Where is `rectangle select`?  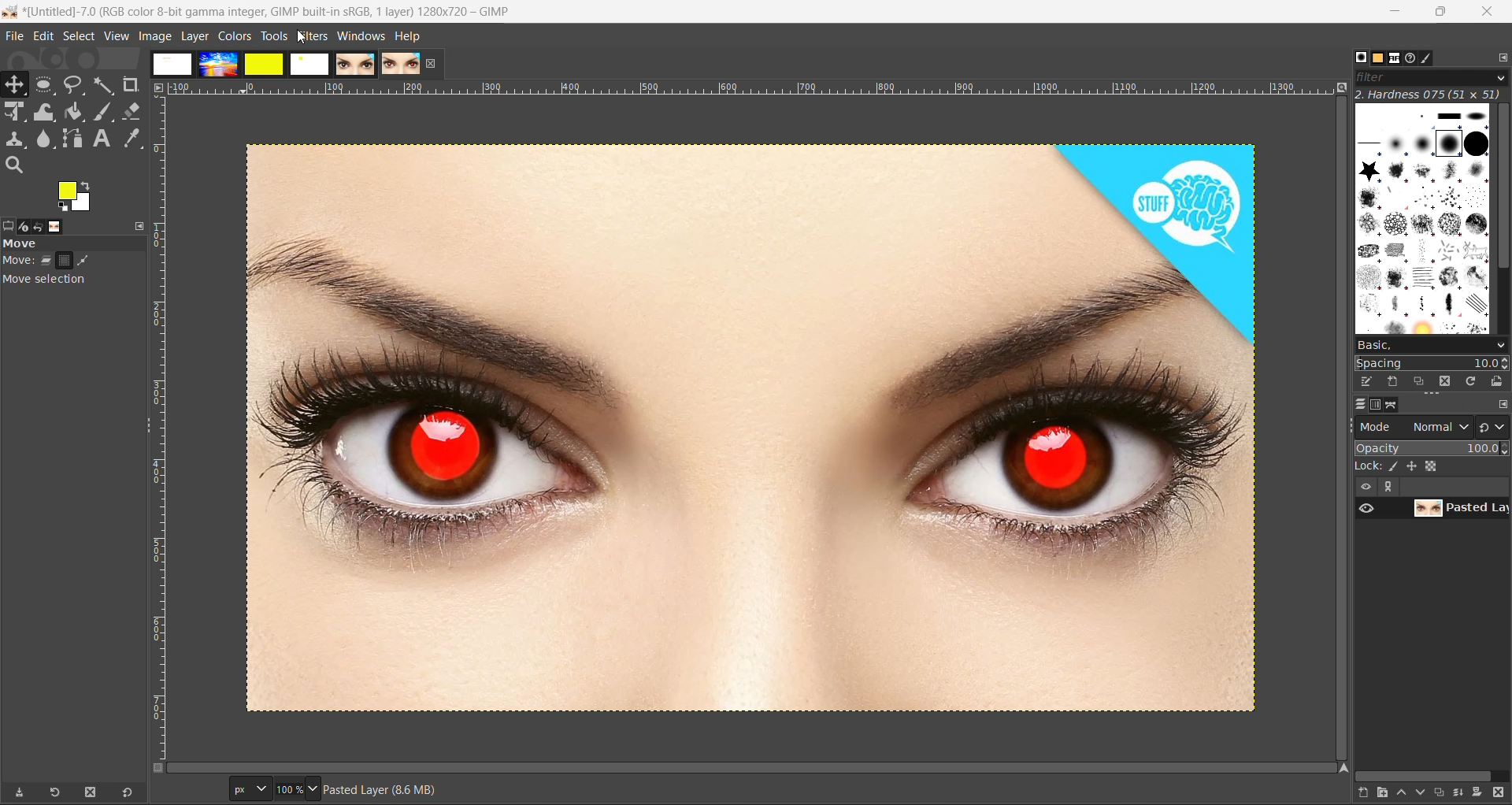
rectangle select is located at coordinates (47, 85).